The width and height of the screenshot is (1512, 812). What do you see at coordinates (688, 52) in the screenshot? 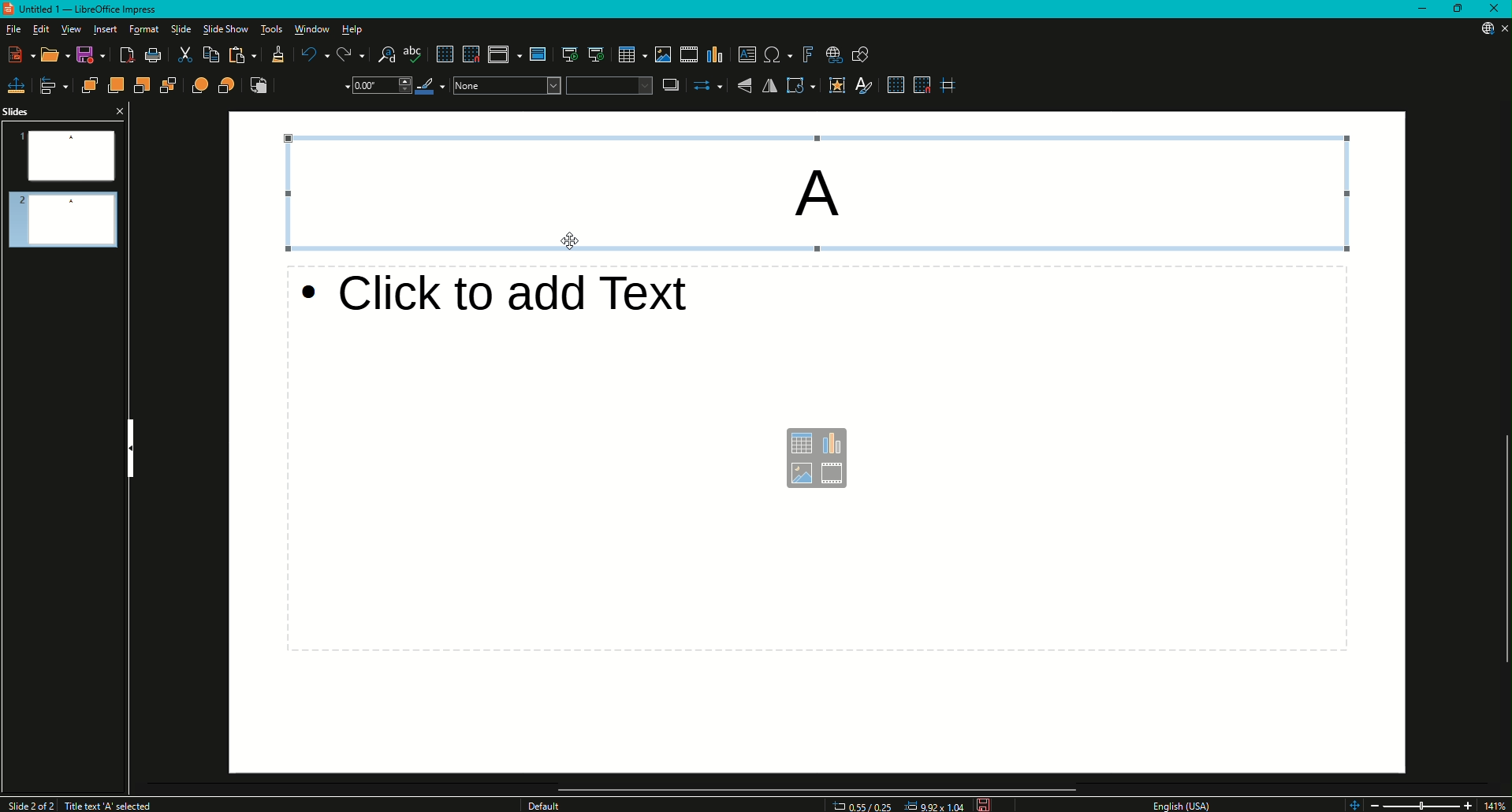
I see `Insert Audio or Video` at bounding box center [688, 52].